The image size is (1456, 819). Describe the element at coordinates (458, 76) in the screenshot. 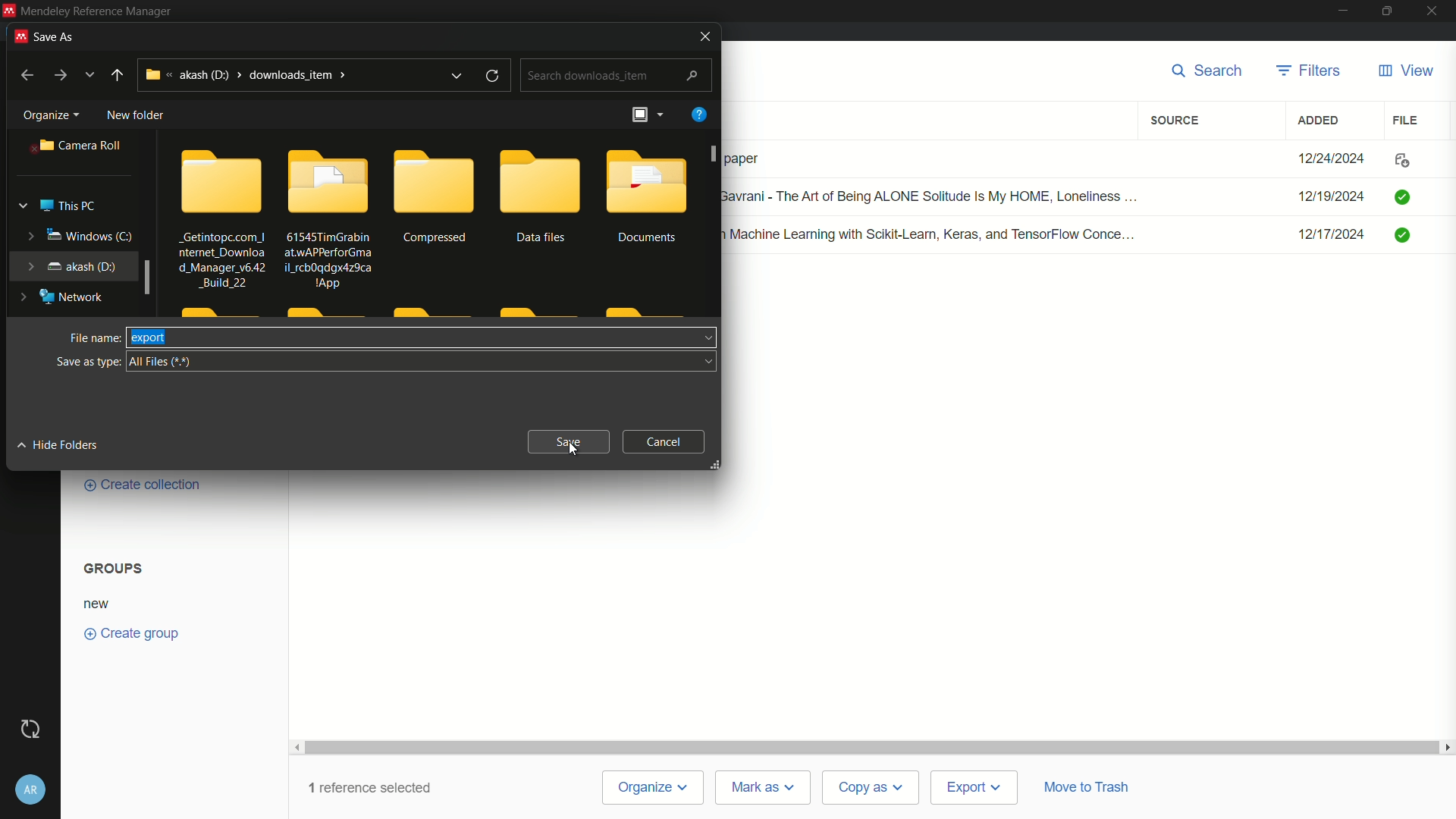

I see `previous location` at that location.